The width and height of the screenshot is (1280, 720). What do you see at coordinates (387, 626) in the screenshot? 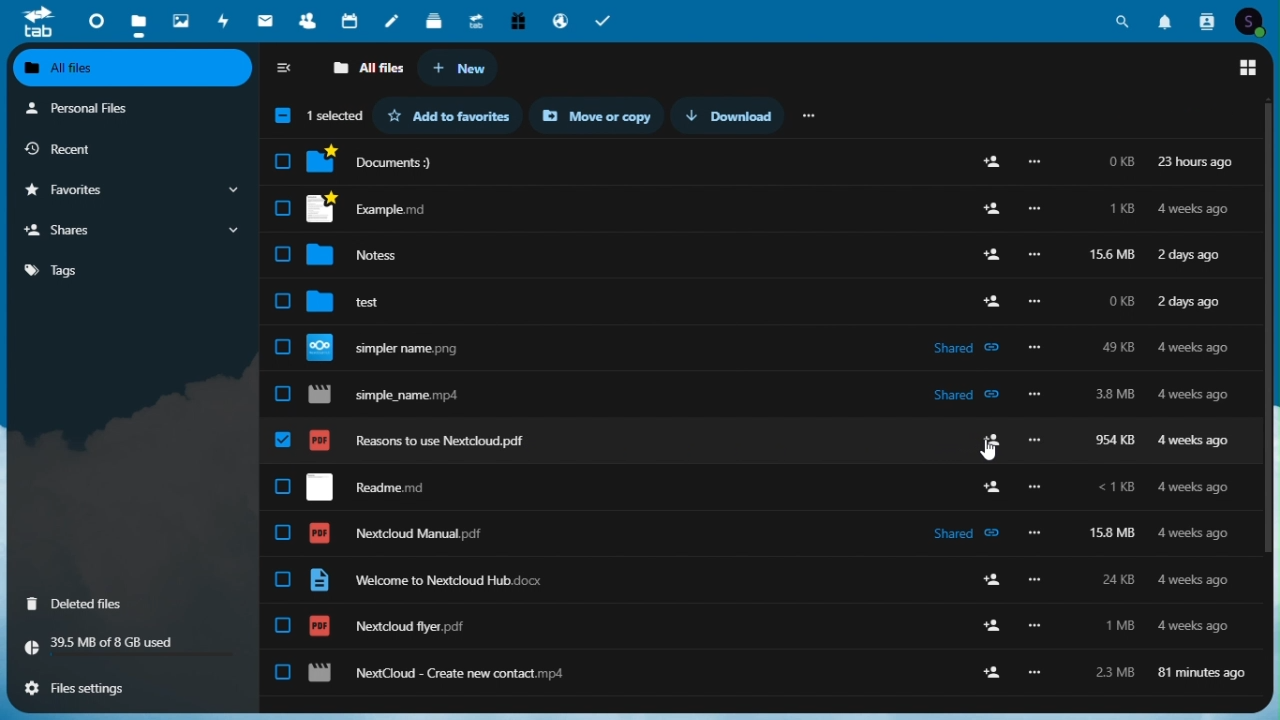
I see `nextcloud flyer.pdg` at bounding box center [387, 626].